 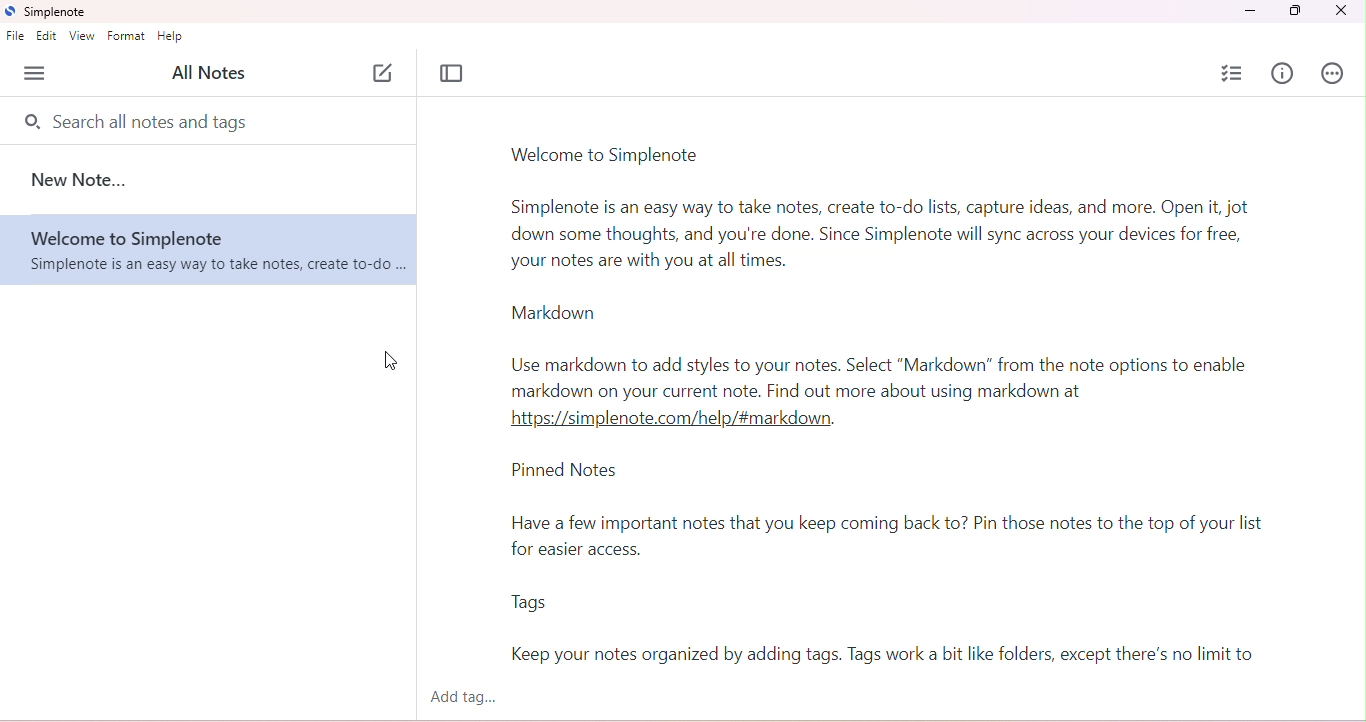 What do you see at coordinates (552, 312) in the screenshot?
I see `markdown` at bounding box center [552, 312].